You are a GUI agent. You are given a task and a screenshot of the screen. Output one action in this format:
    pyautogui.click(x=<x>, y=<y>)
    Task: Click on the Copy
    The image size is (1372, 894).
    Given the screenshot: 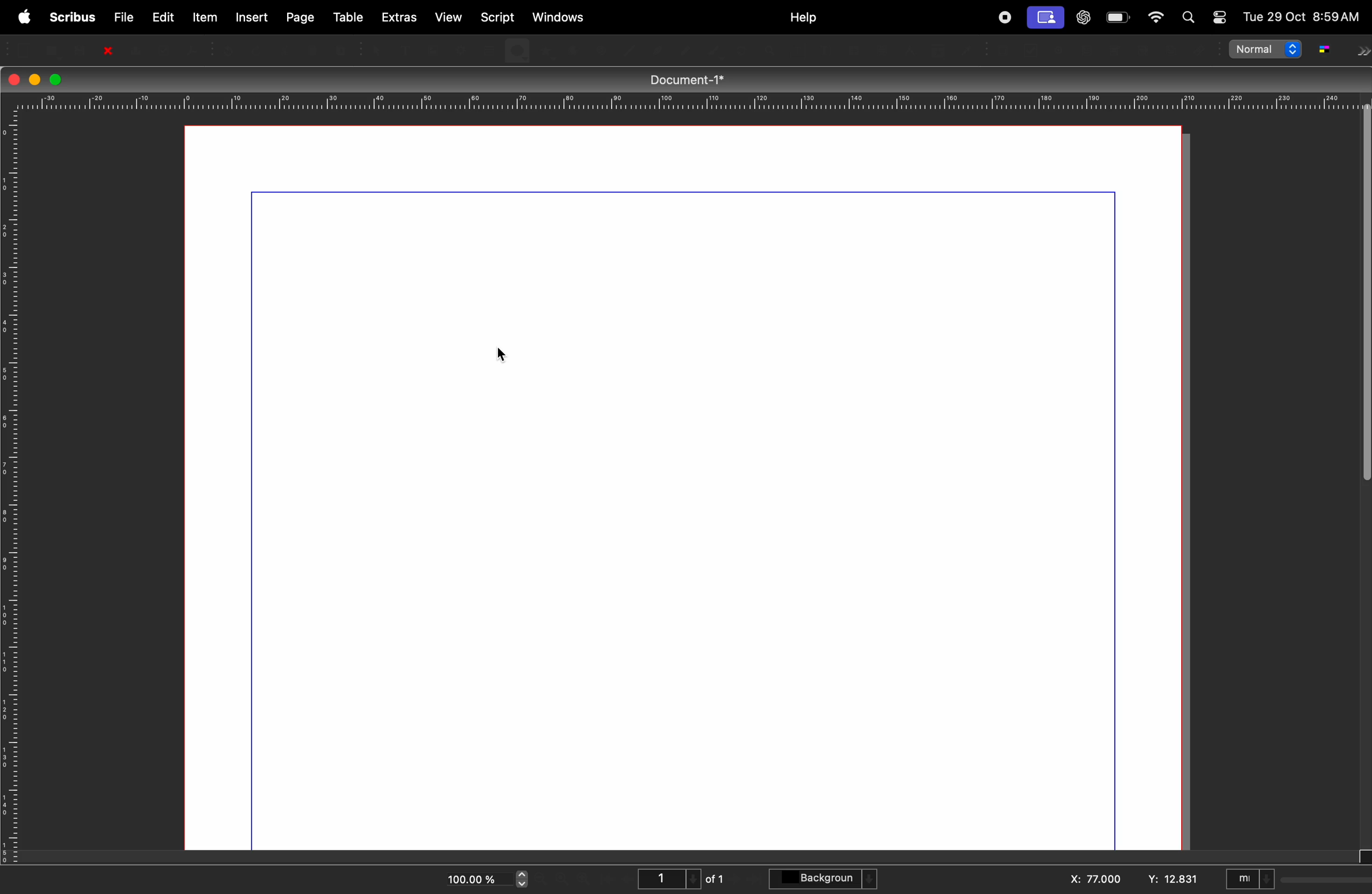 What is the action you would take?
    pyautogui.click(x=315, y=49)
    